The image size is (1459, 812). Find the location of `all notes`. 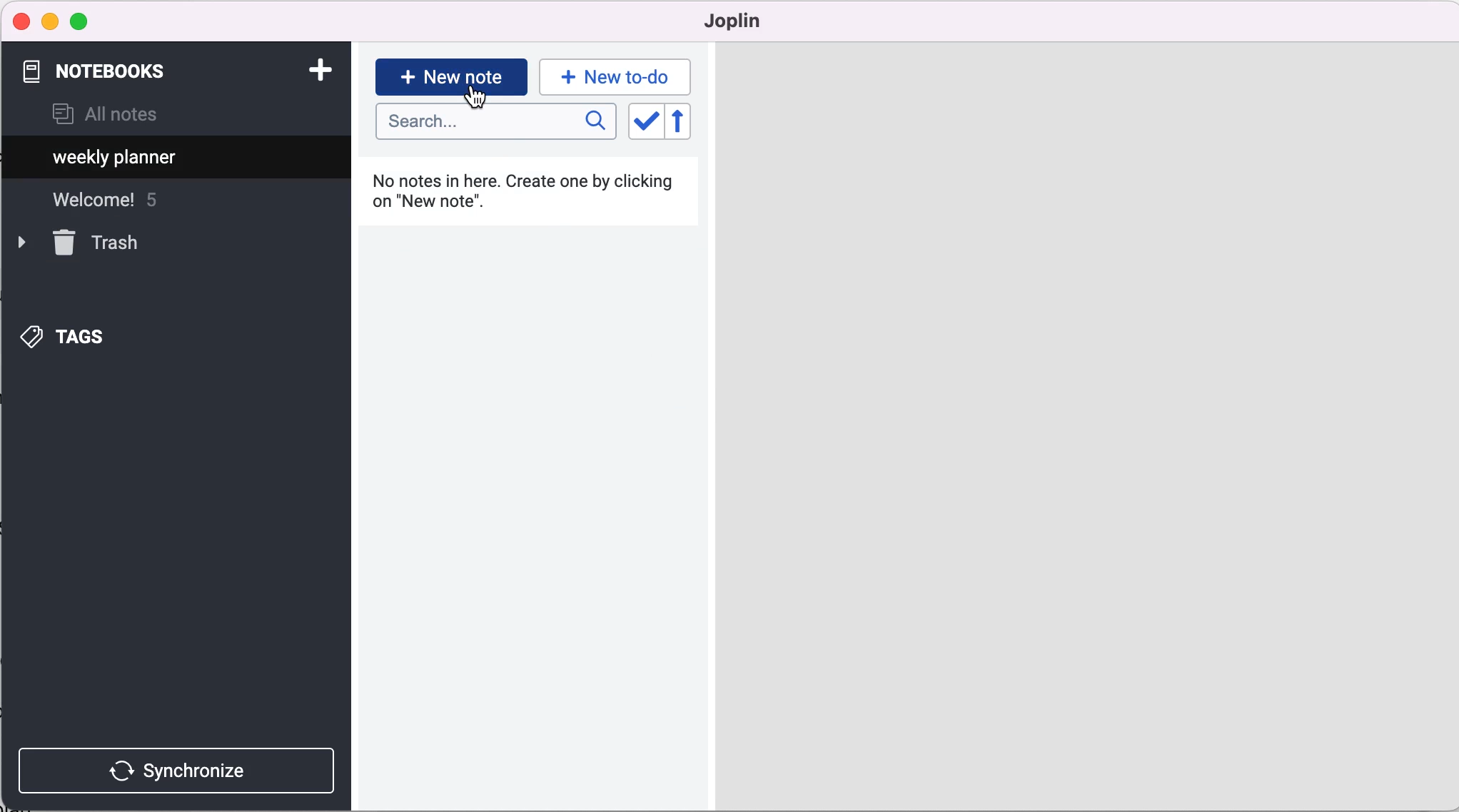

all notes is located at coordinates (105, 116).